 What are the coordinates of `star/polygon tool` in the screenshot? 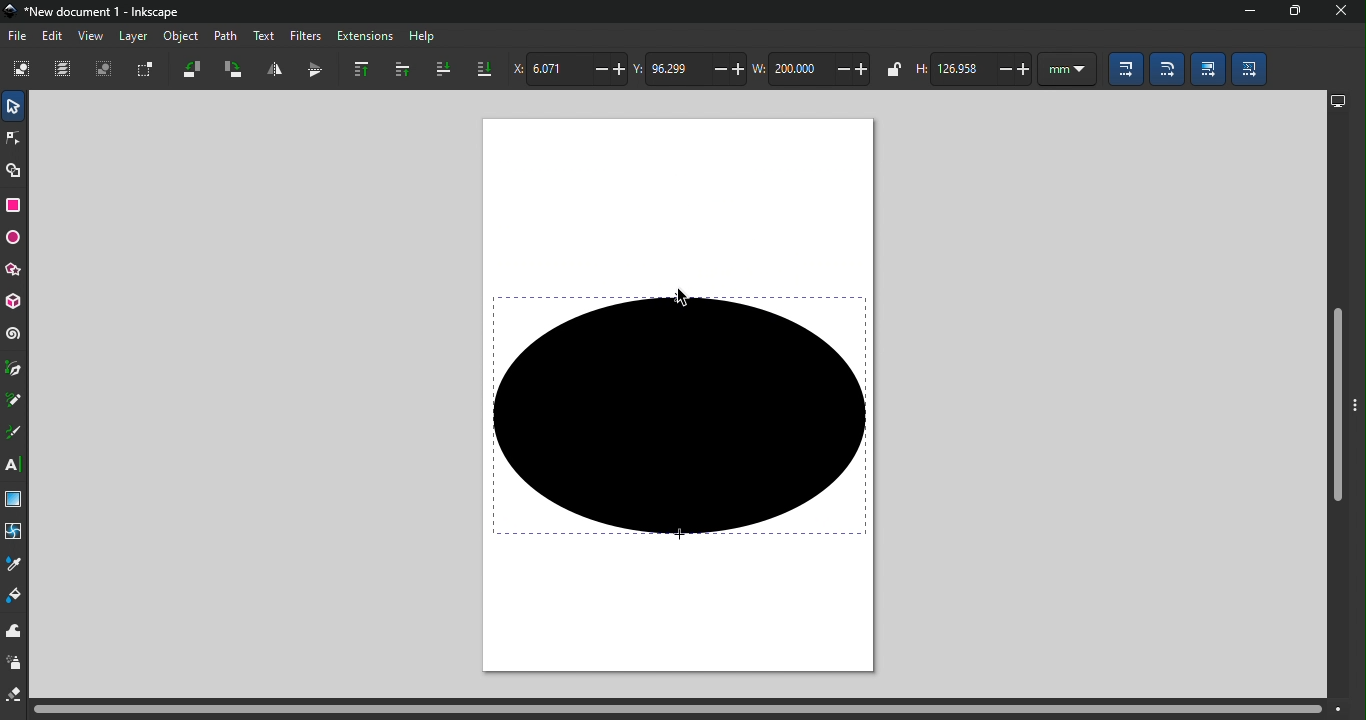 It's located at (14, 269).